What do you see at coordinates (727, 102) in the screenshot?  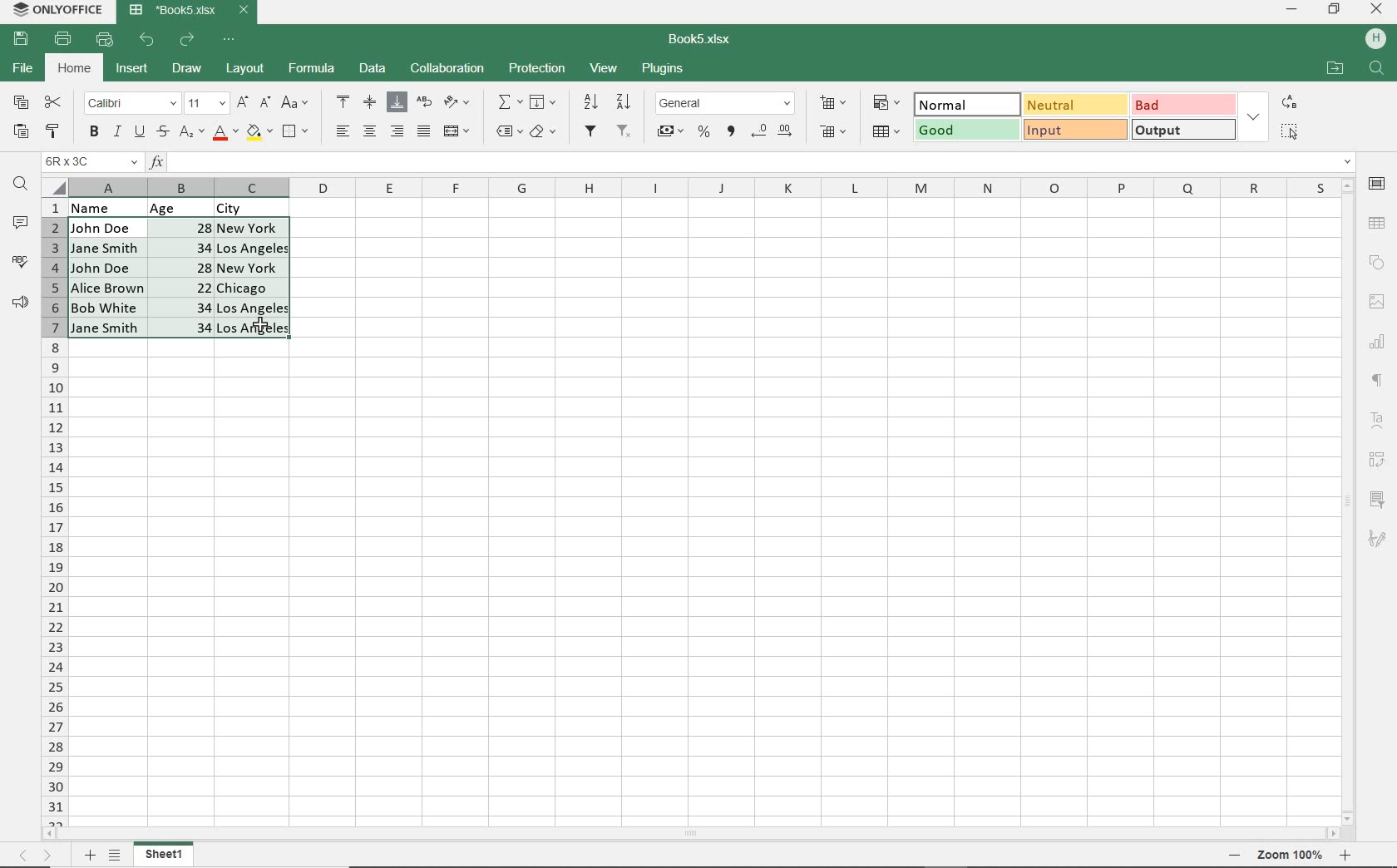 I see `NUMBER FORMAT` at bounding box center [727, 102].